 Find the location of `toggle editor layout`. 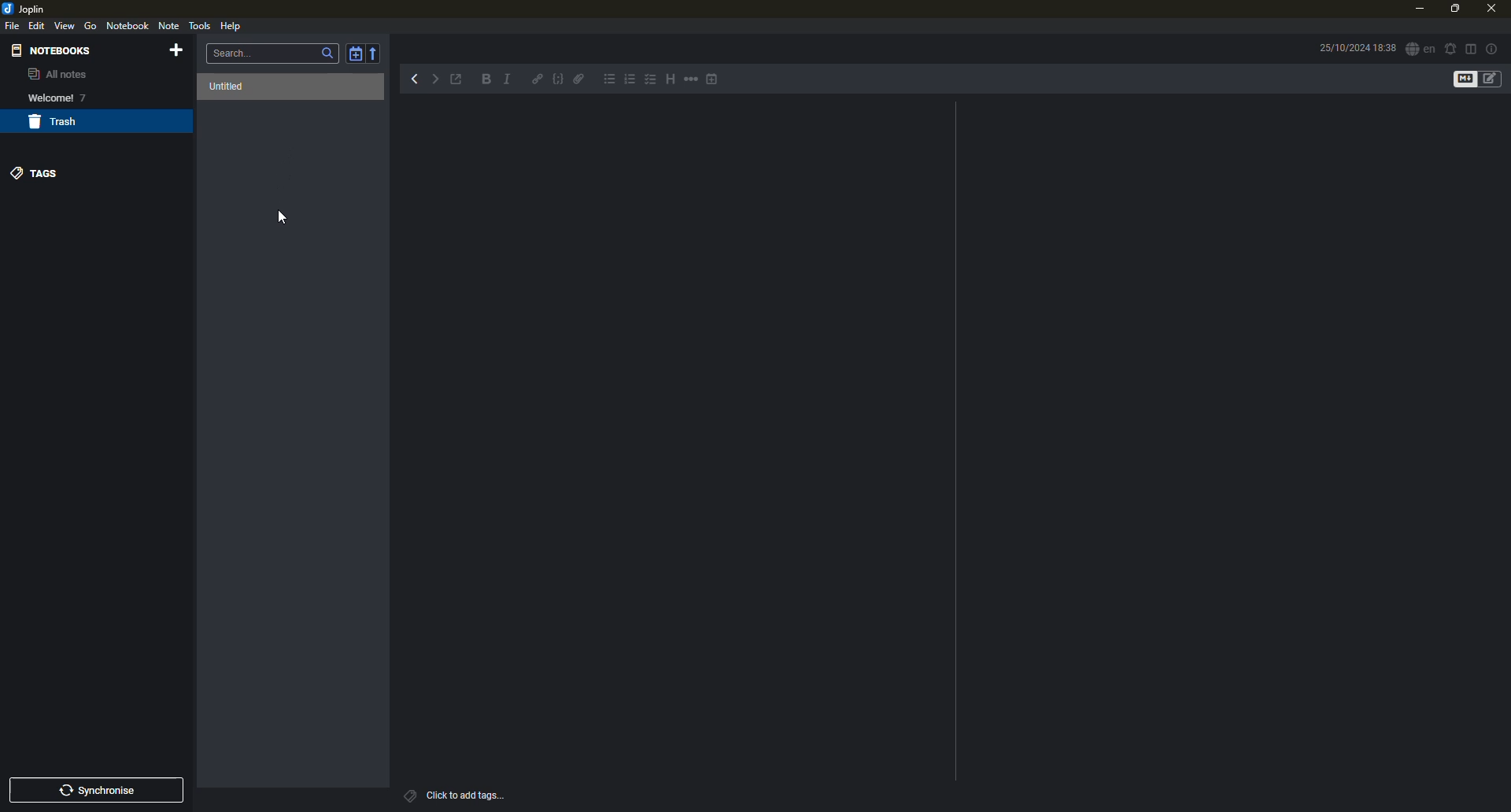

toggle editor layout is located at coordinates (1471, 48).